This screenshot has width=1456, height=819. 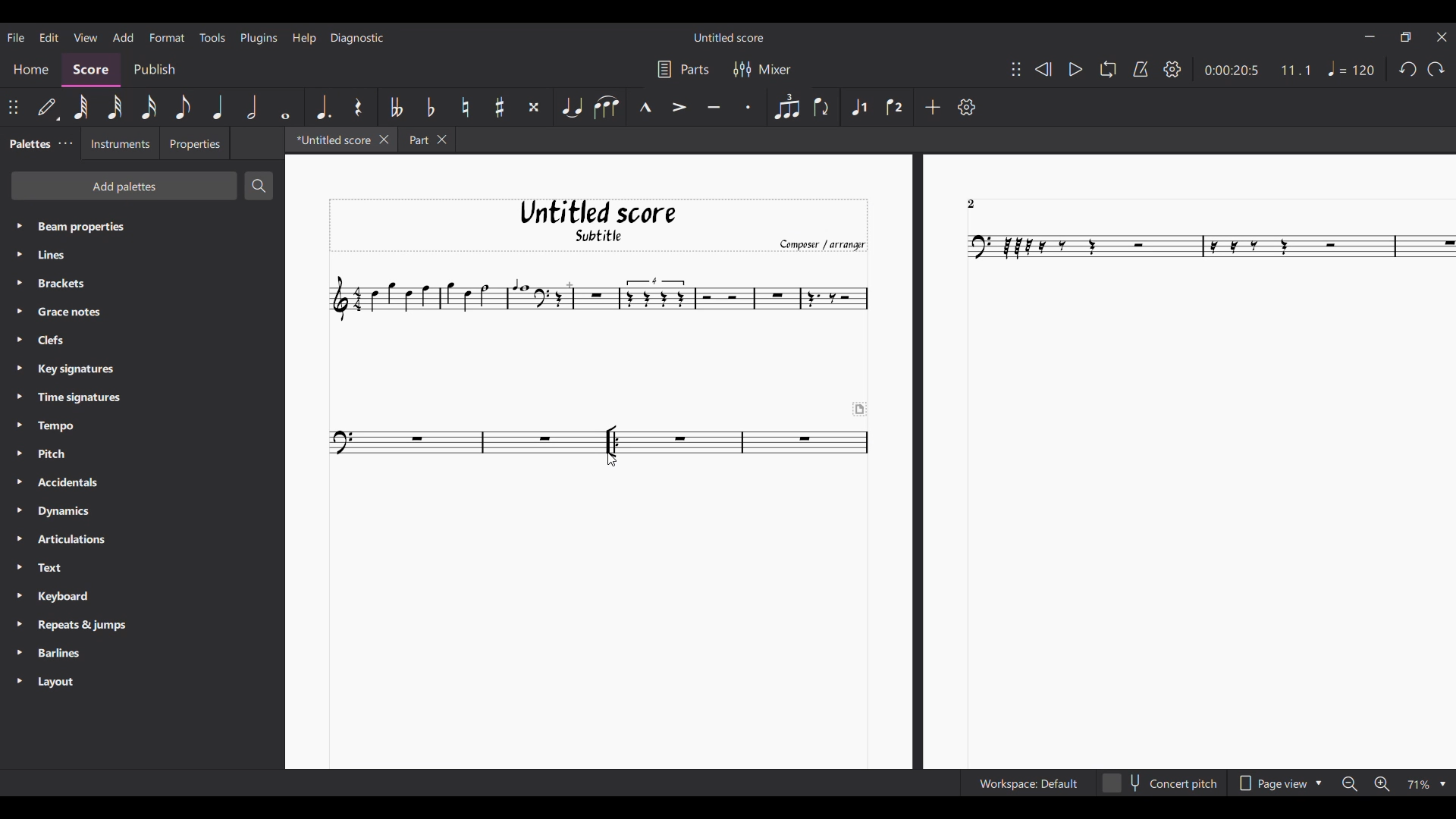 I want to click on Plugins menu, so click(x=259, y=39).